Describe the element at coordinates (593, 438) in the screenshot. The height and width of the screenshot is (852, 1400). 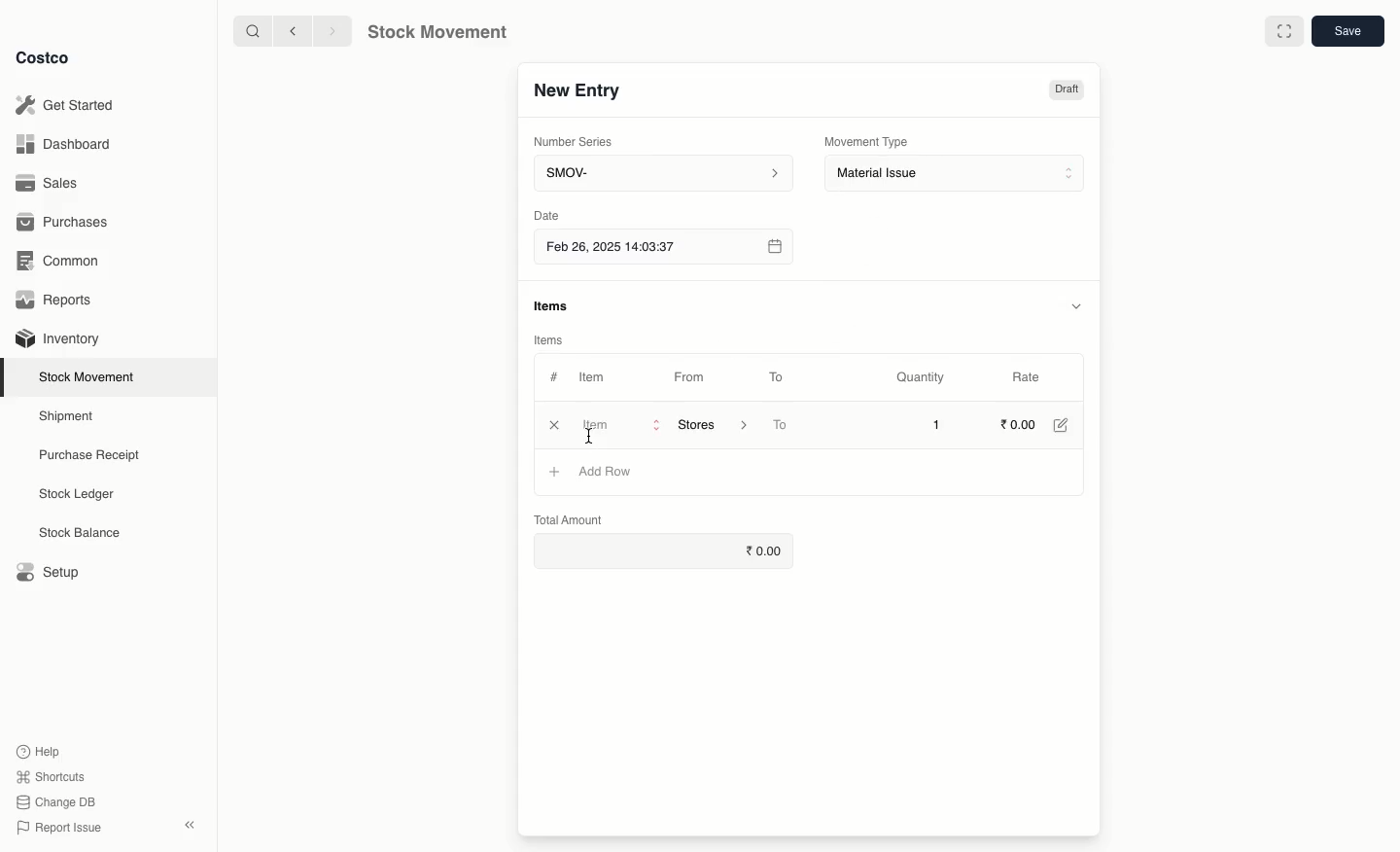
I see `cursor` at that location.